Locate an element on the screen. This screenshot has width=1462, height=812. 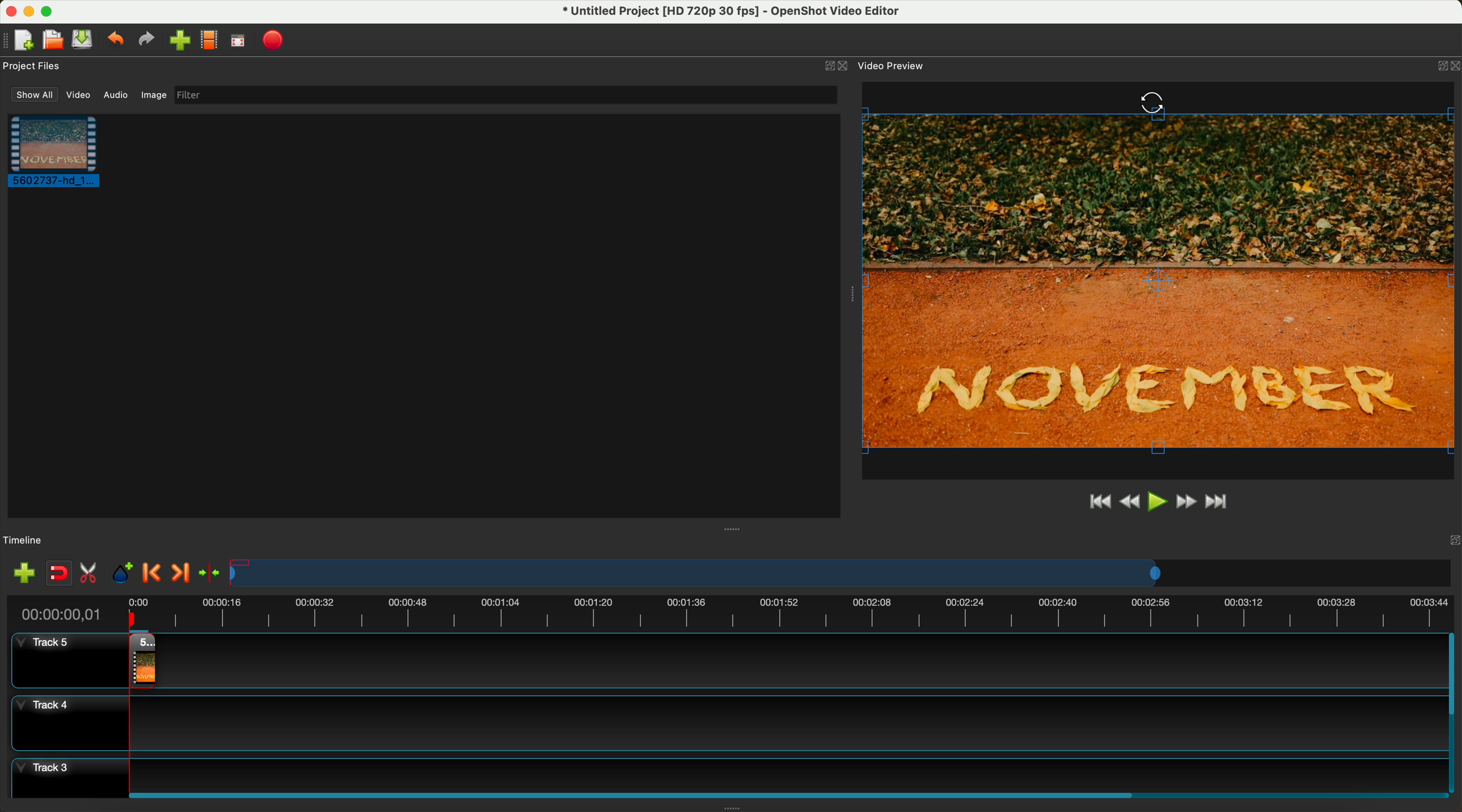
disable snapping is located at coordinates (60, 574).